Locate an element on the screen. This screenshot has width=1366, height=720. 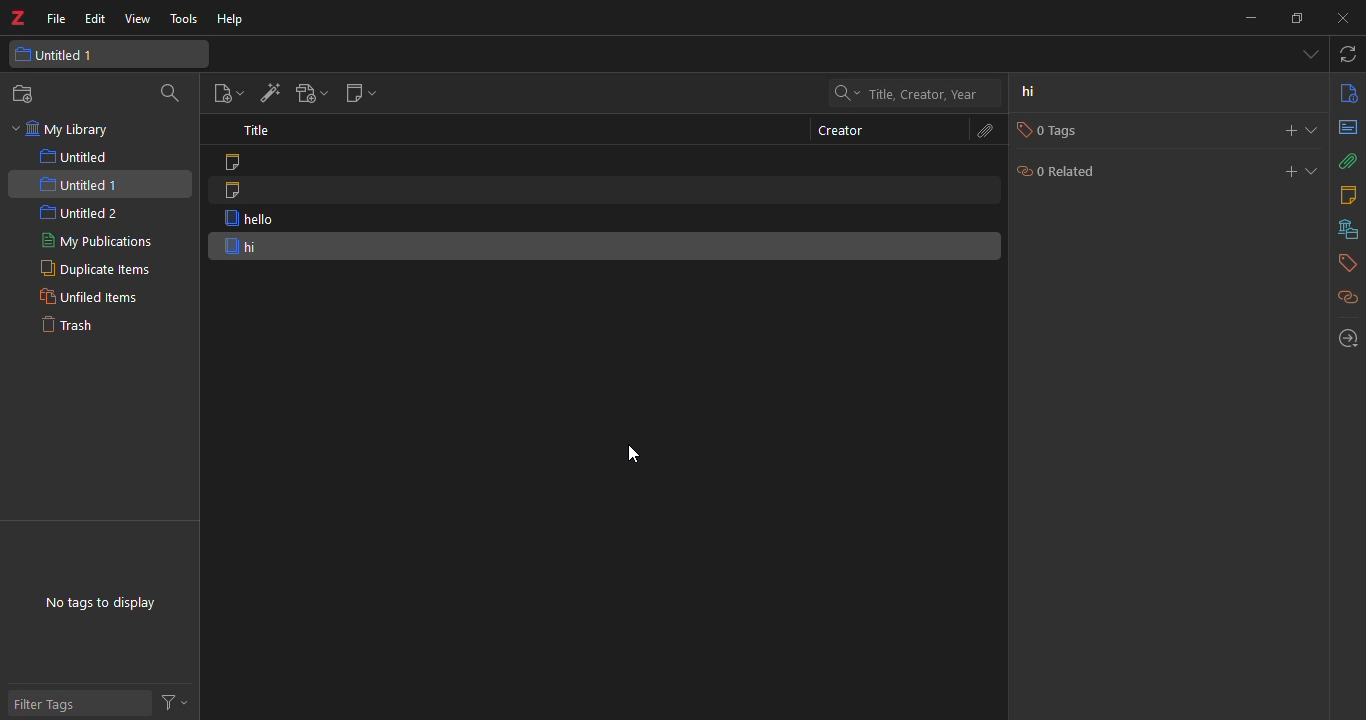
title is located at coordinates (257, 131).